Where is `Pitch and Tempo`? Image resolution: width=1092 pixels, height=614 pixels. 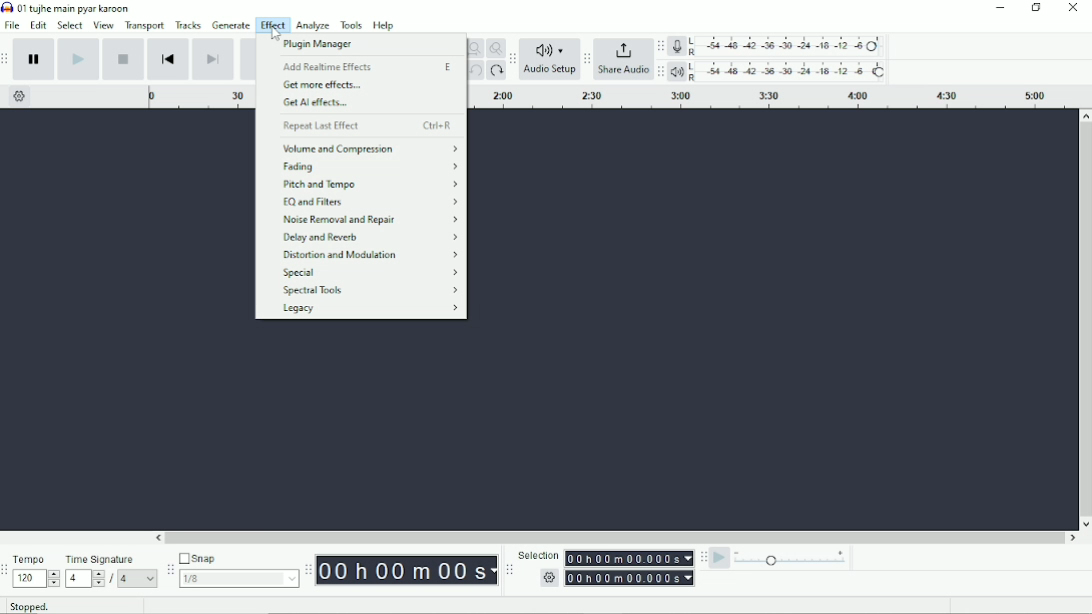
Pitch and Tempo is located at coordinates (370, 185).